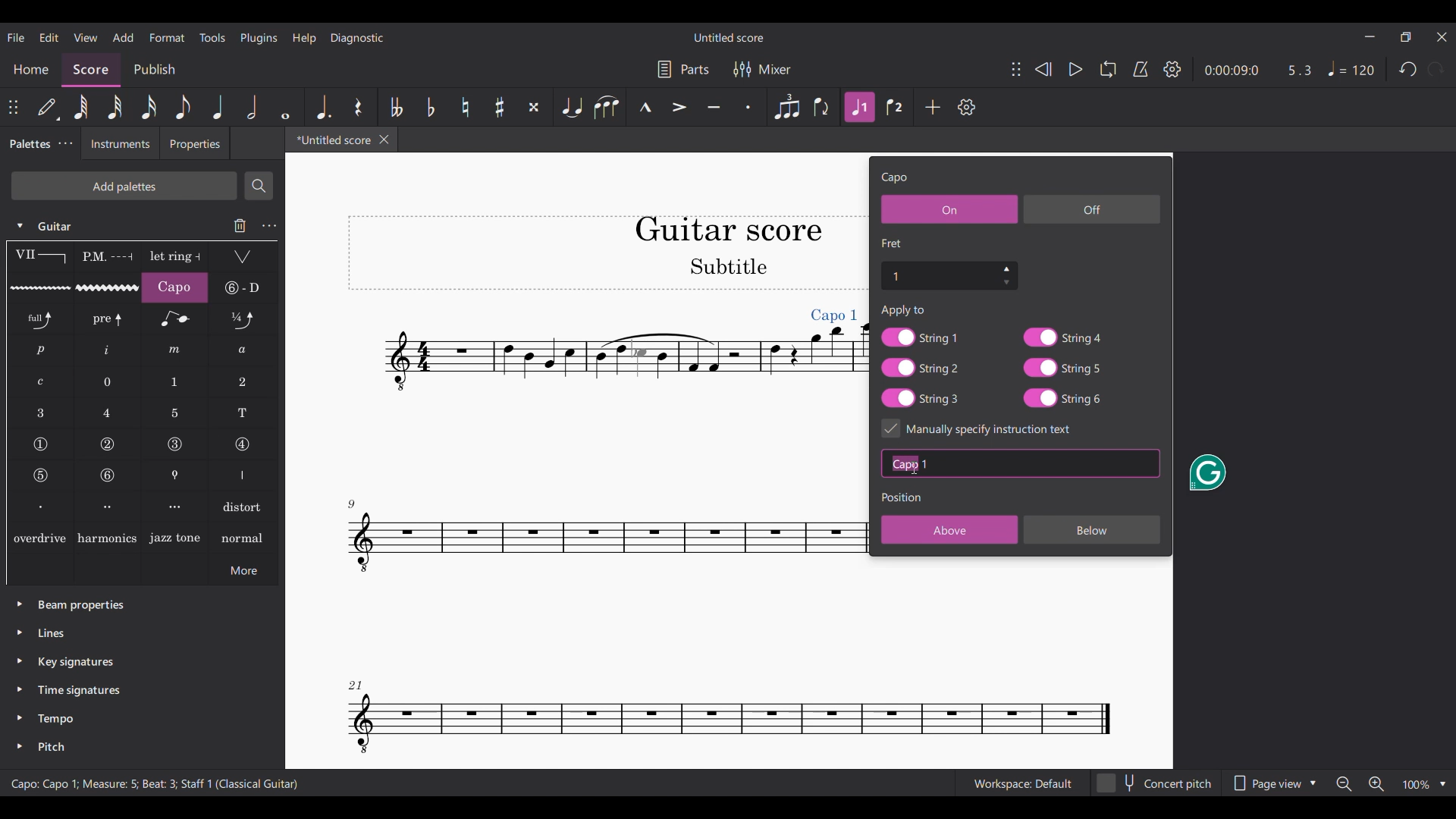 This screenshot has width=1456, height=819. I want to click on String number 1, so click(40, 444).